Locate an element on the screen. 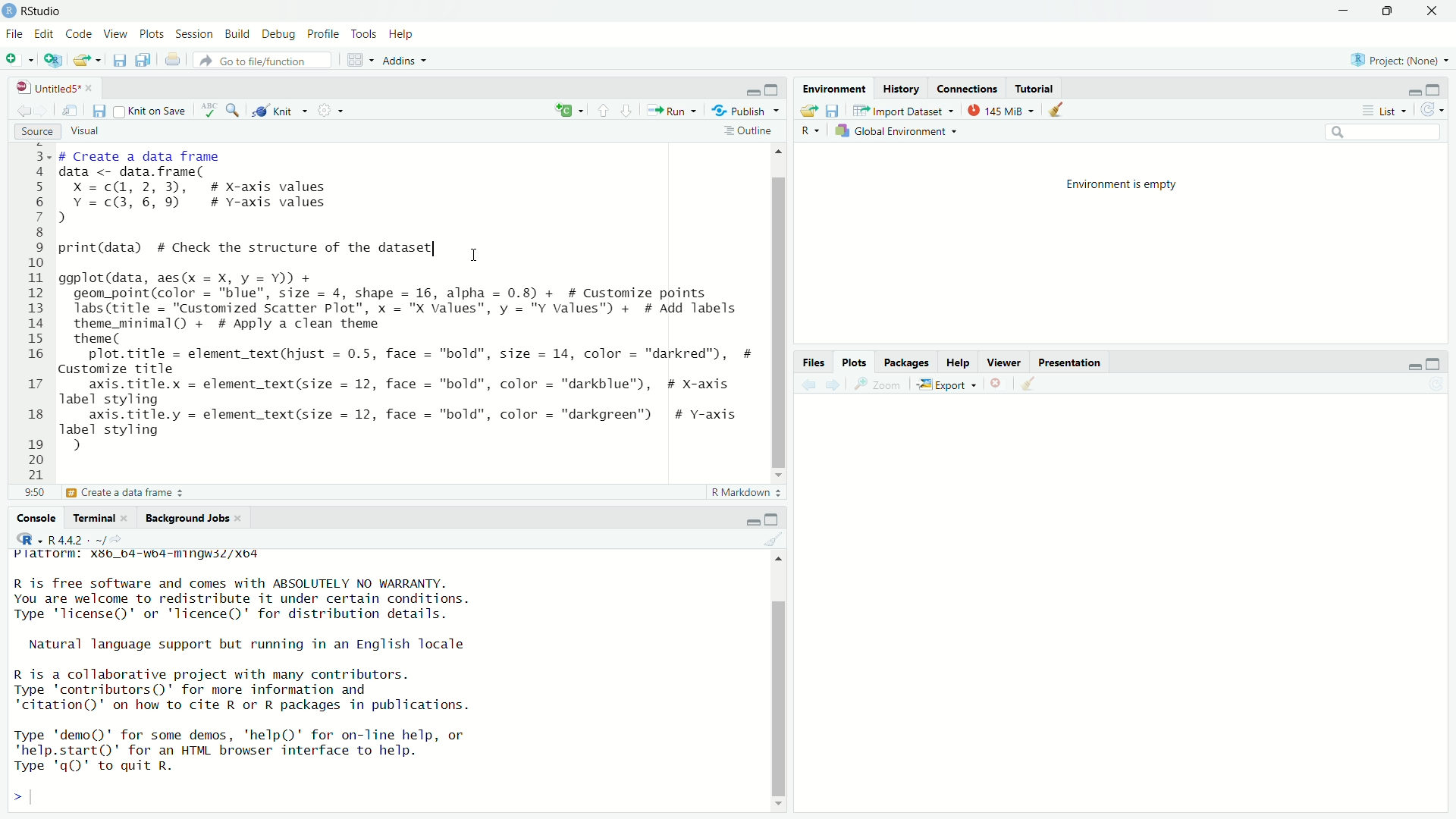  Go to the previous section/chunk is located at coordinates (604, 111).